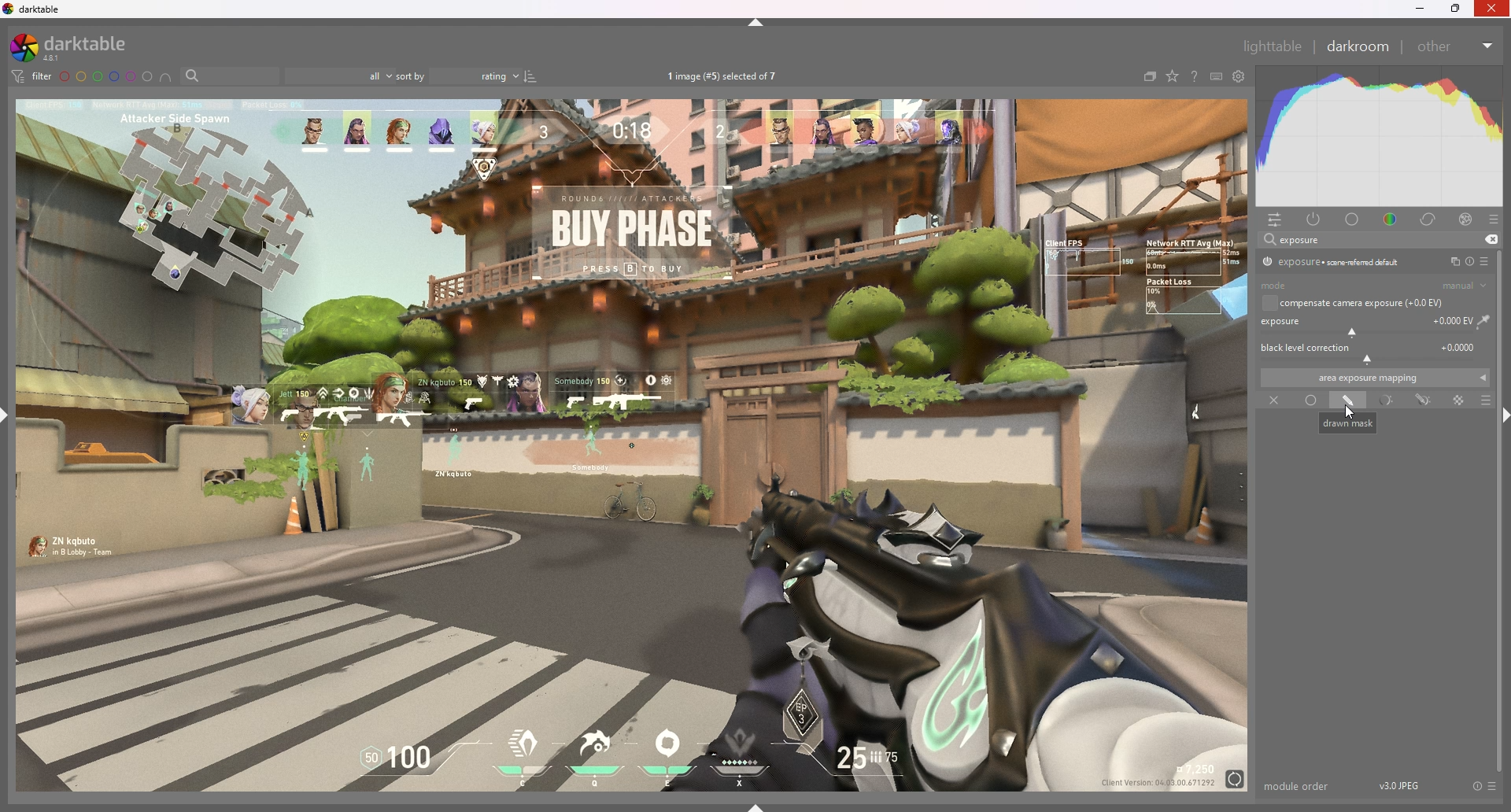  What do you see at coordinates (1390, 220) in the screenshot?
I see `color` at bounding box center [1390, 220].